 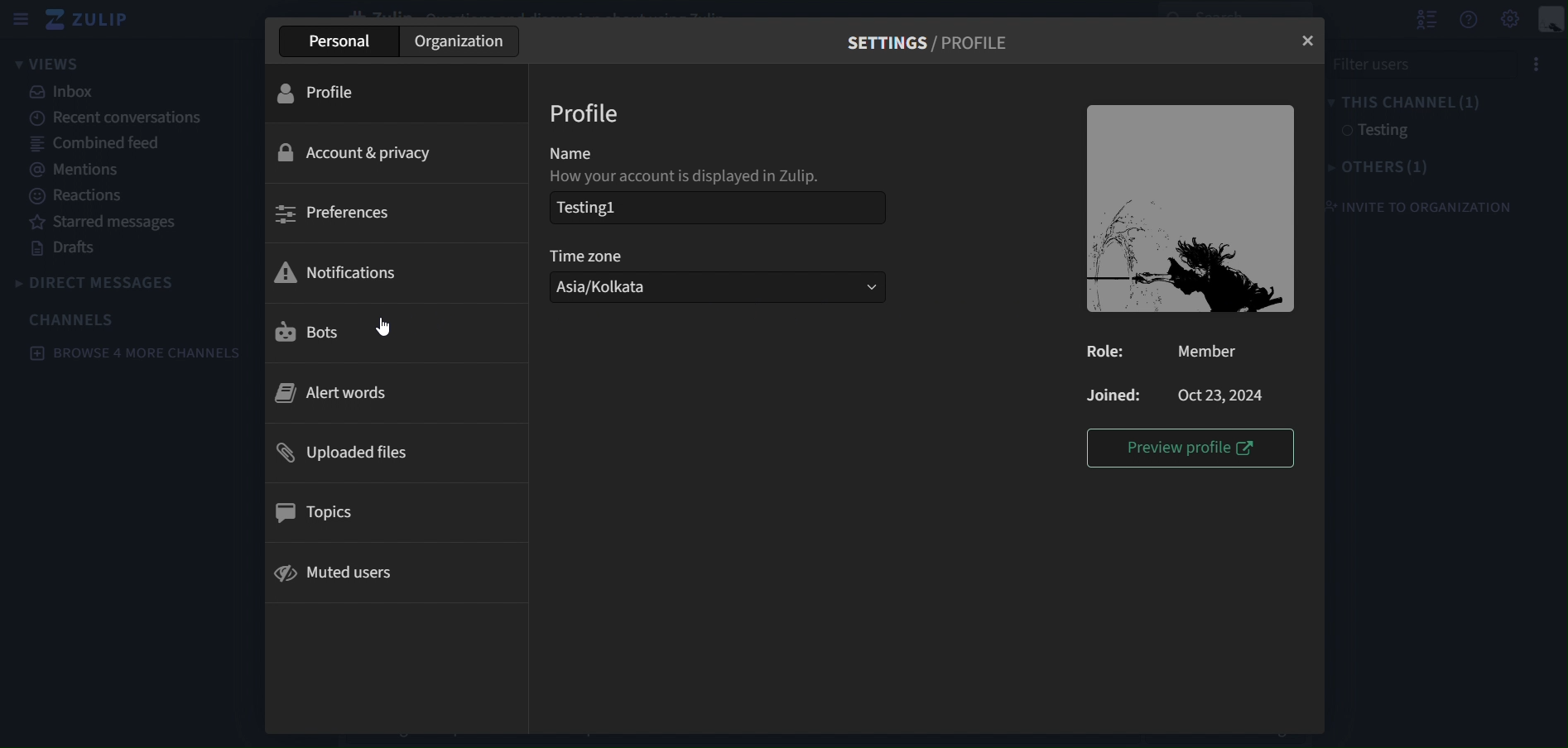 What do you see at coordinates (1440, 63) in the screenshot?
I see `filter users` at bounding box center [1440, 63].